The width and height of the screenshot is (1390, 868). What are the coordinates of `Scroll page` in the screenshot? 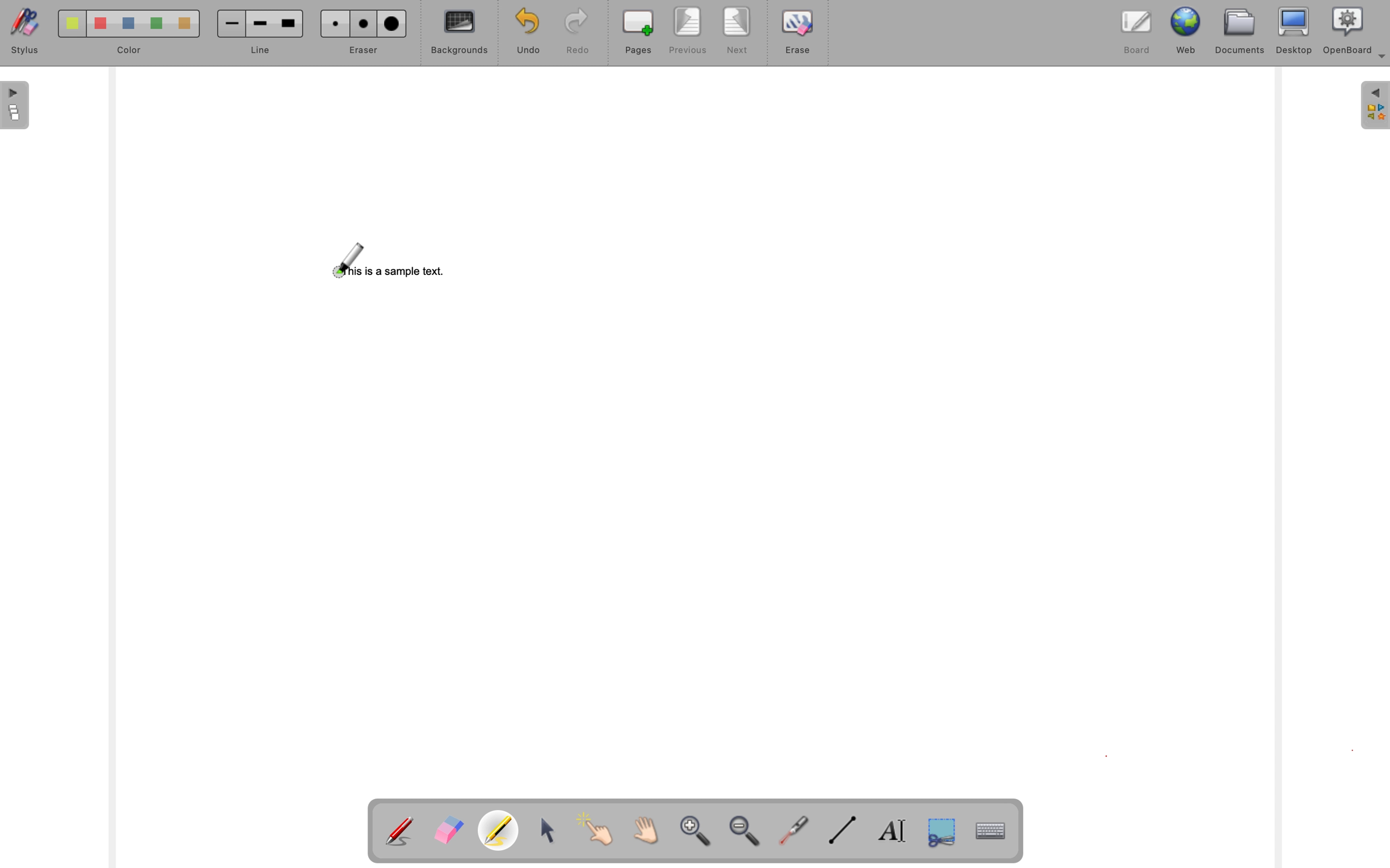 It's located at (648, 827).